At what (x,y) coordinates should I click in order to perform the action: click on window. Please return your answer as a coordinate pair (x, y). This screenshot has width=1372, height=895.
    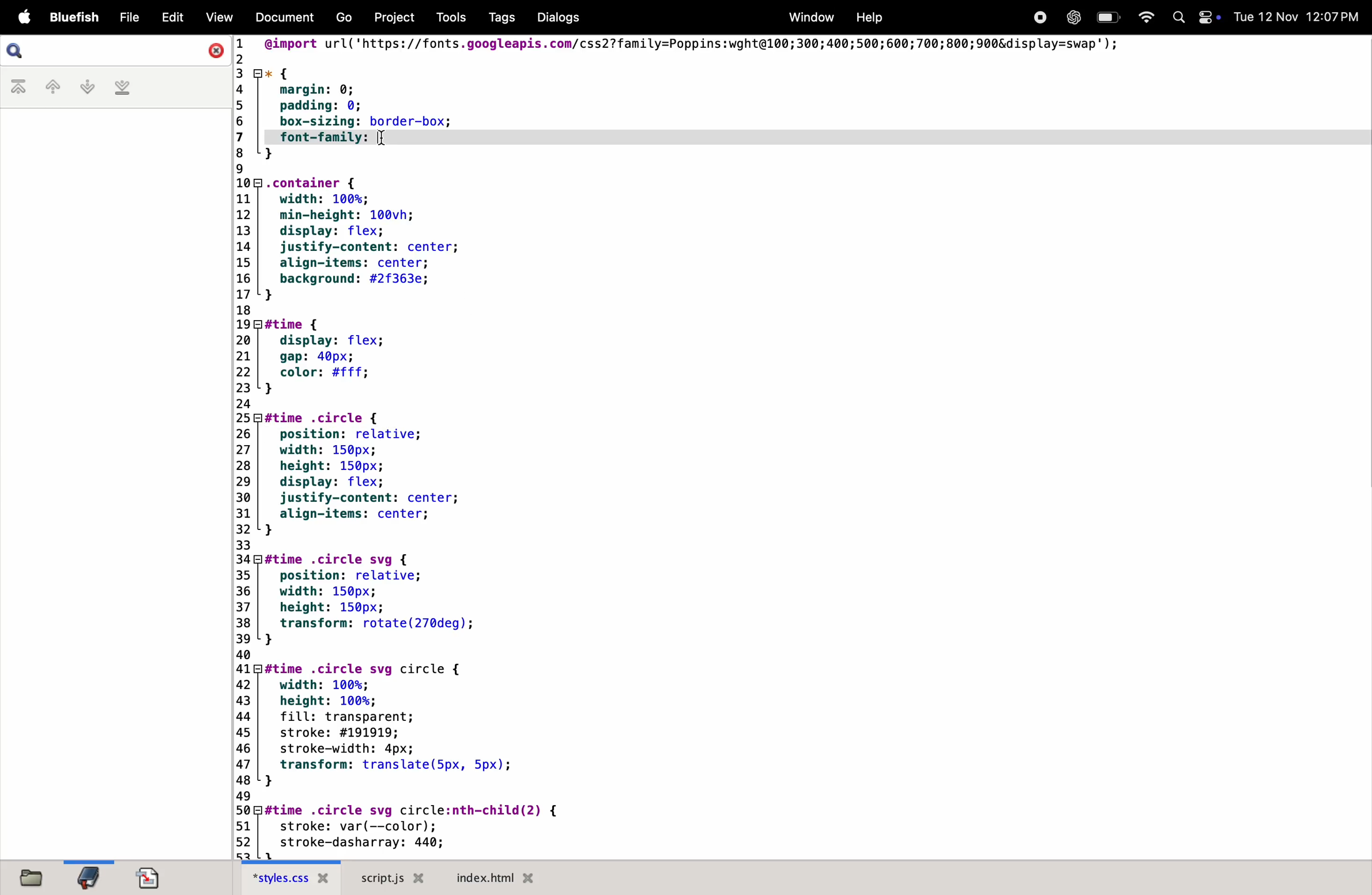
    Looking at the image, I should click on (809, 17).